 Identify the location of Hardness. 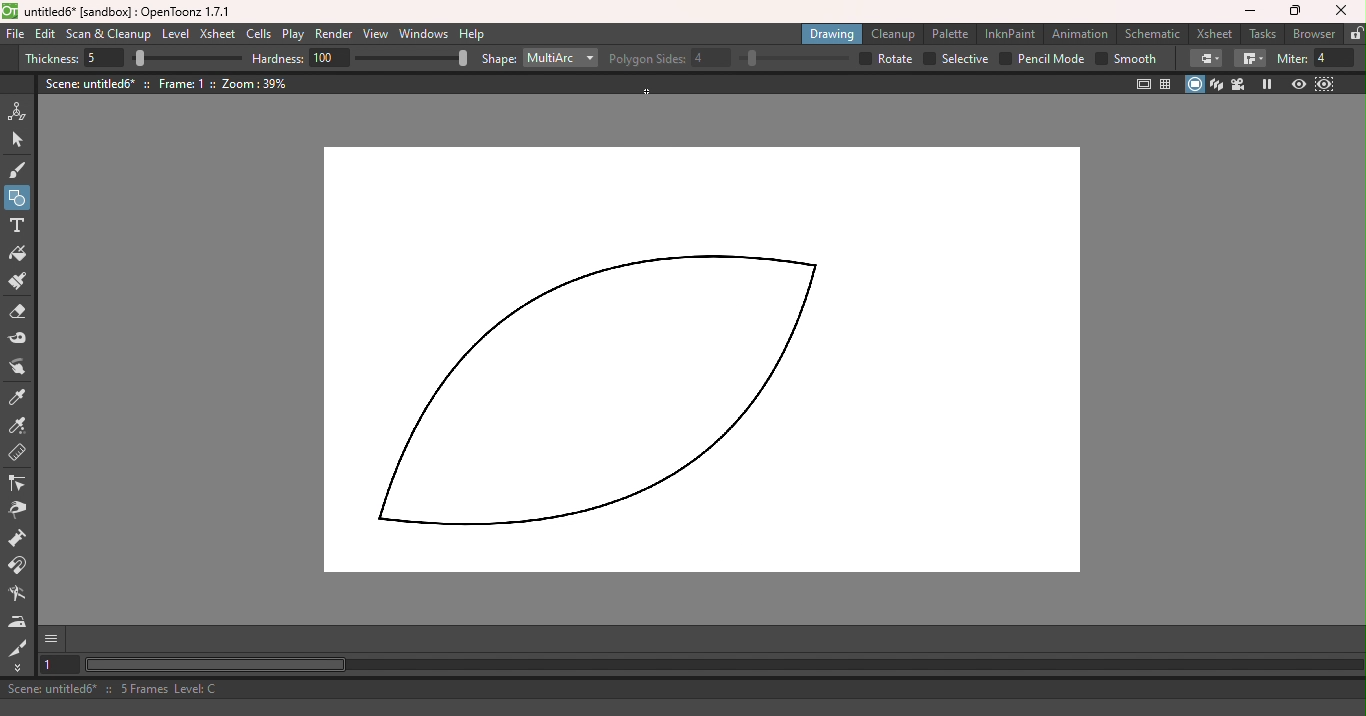
(302, 58).